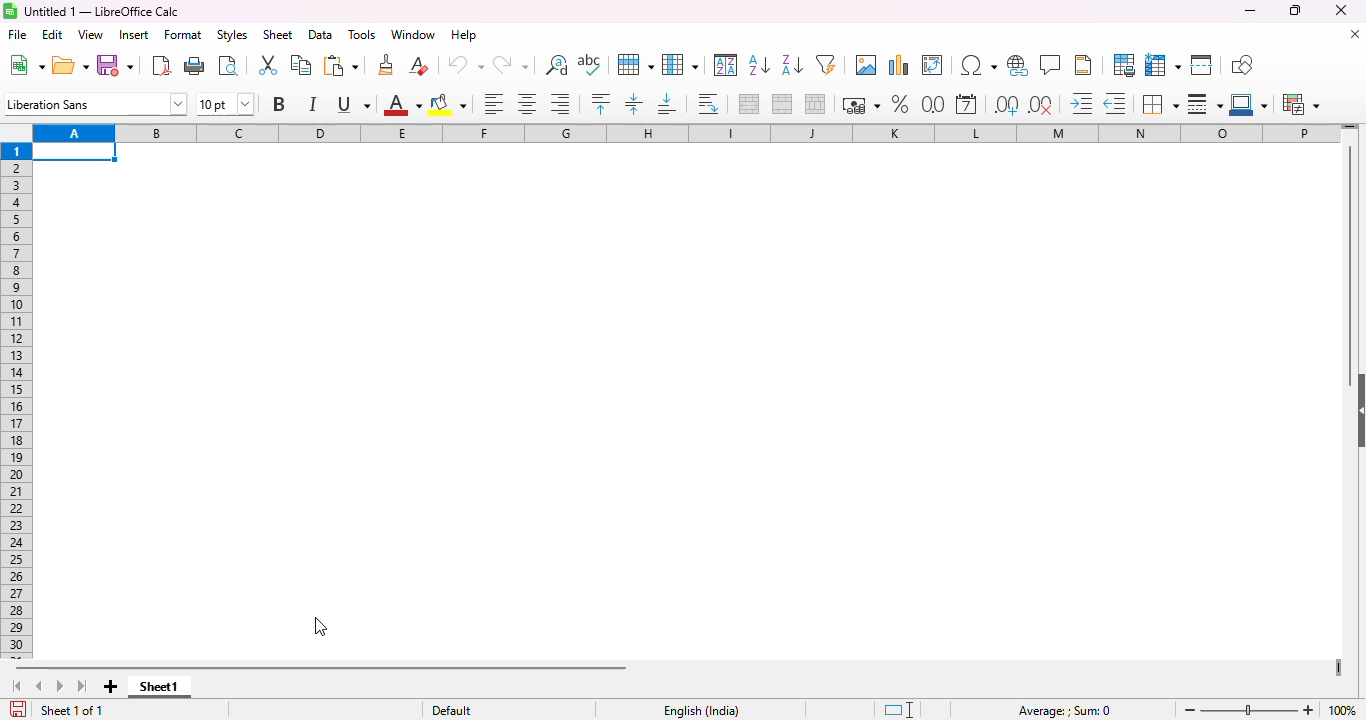  I want to click on show, so click(1357, 411).